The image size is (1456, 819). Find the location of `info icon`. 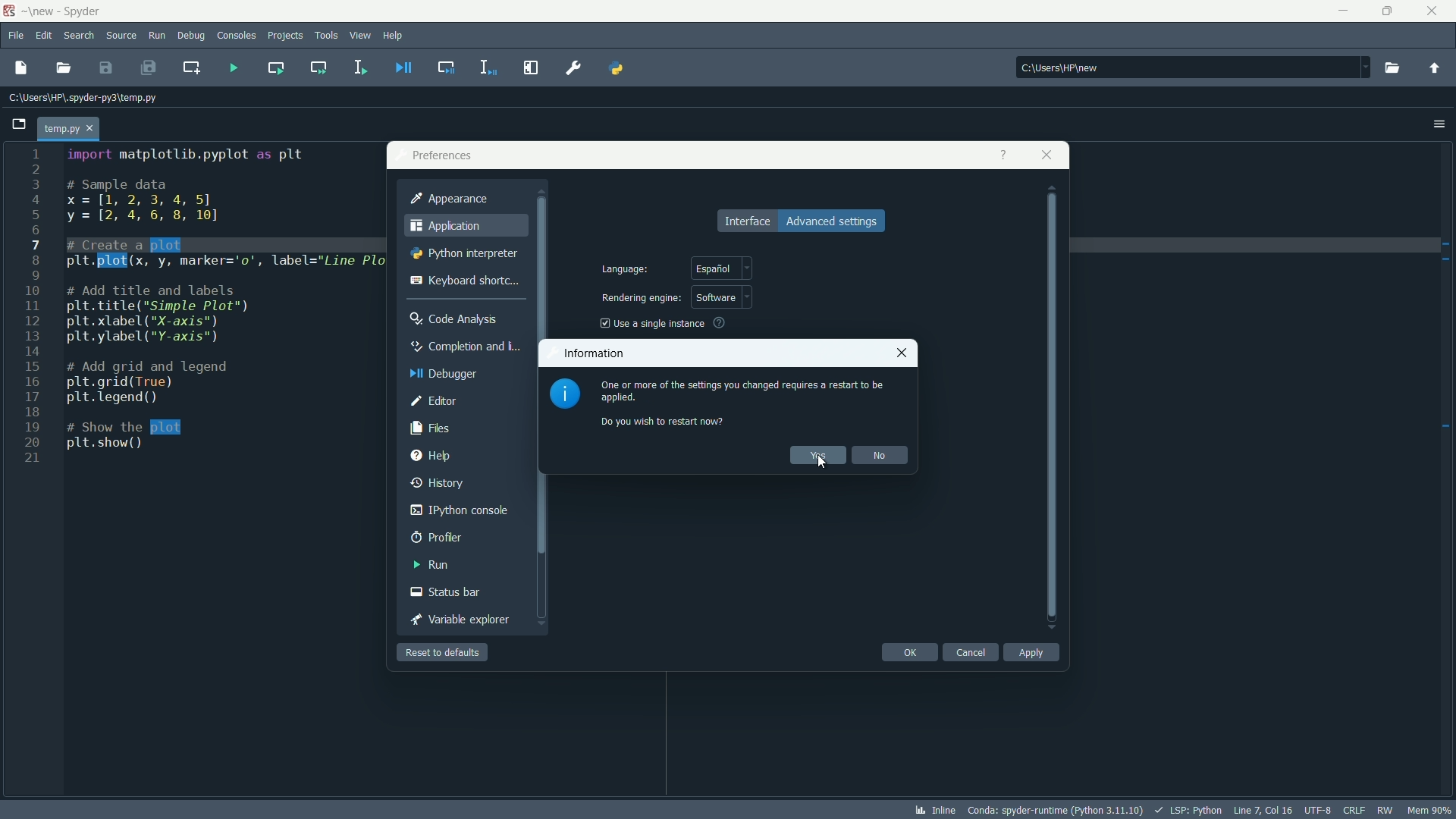

info icon is located at coordinates (564, 394).